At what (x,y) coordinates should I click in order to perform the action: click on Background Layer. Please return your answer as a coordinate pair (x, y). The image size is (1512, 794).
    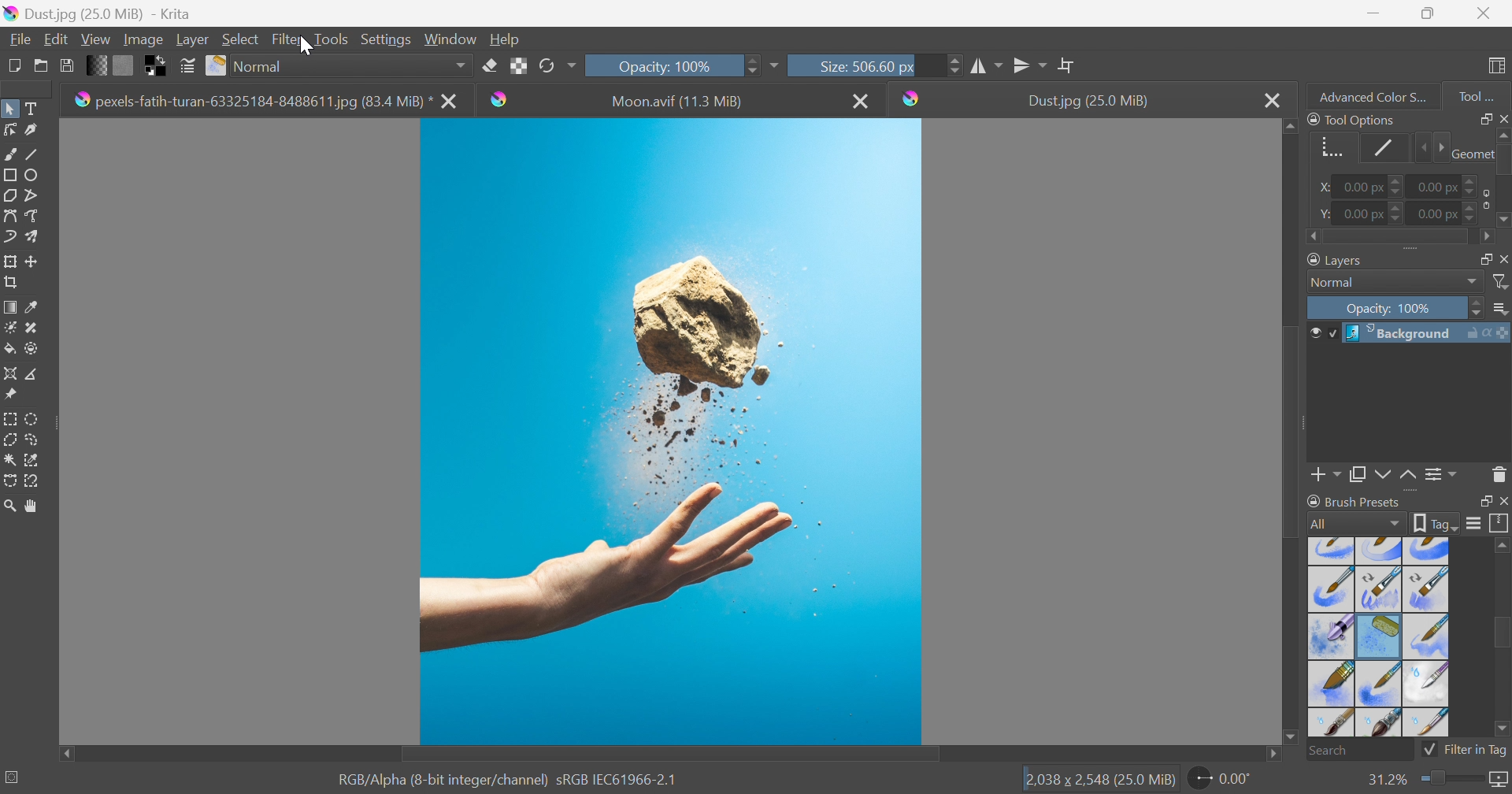
    Looking at the image, I should click on (1426, 333).